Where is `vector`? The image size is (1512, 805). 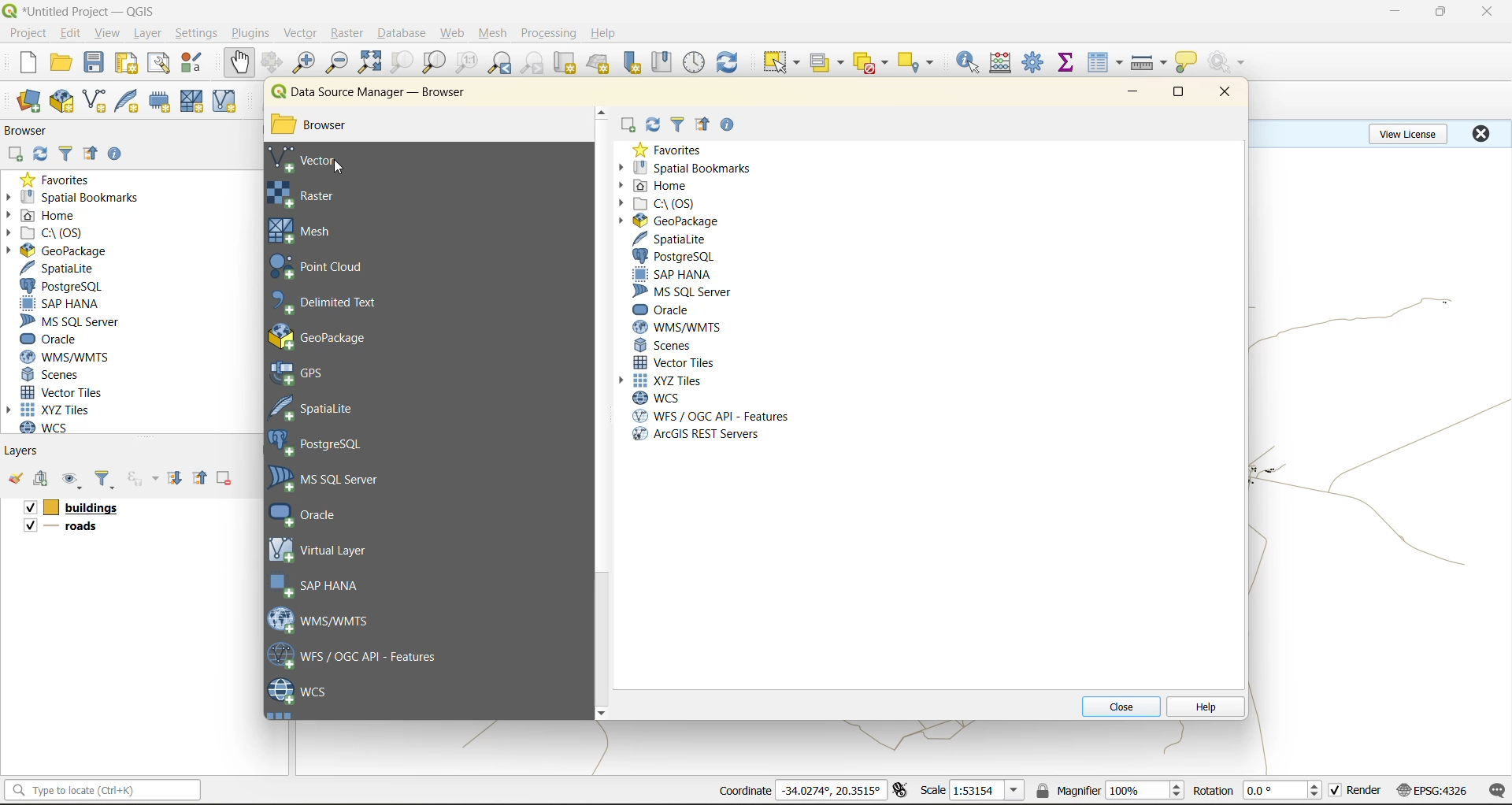
vector is located at coordinates (302, 33).